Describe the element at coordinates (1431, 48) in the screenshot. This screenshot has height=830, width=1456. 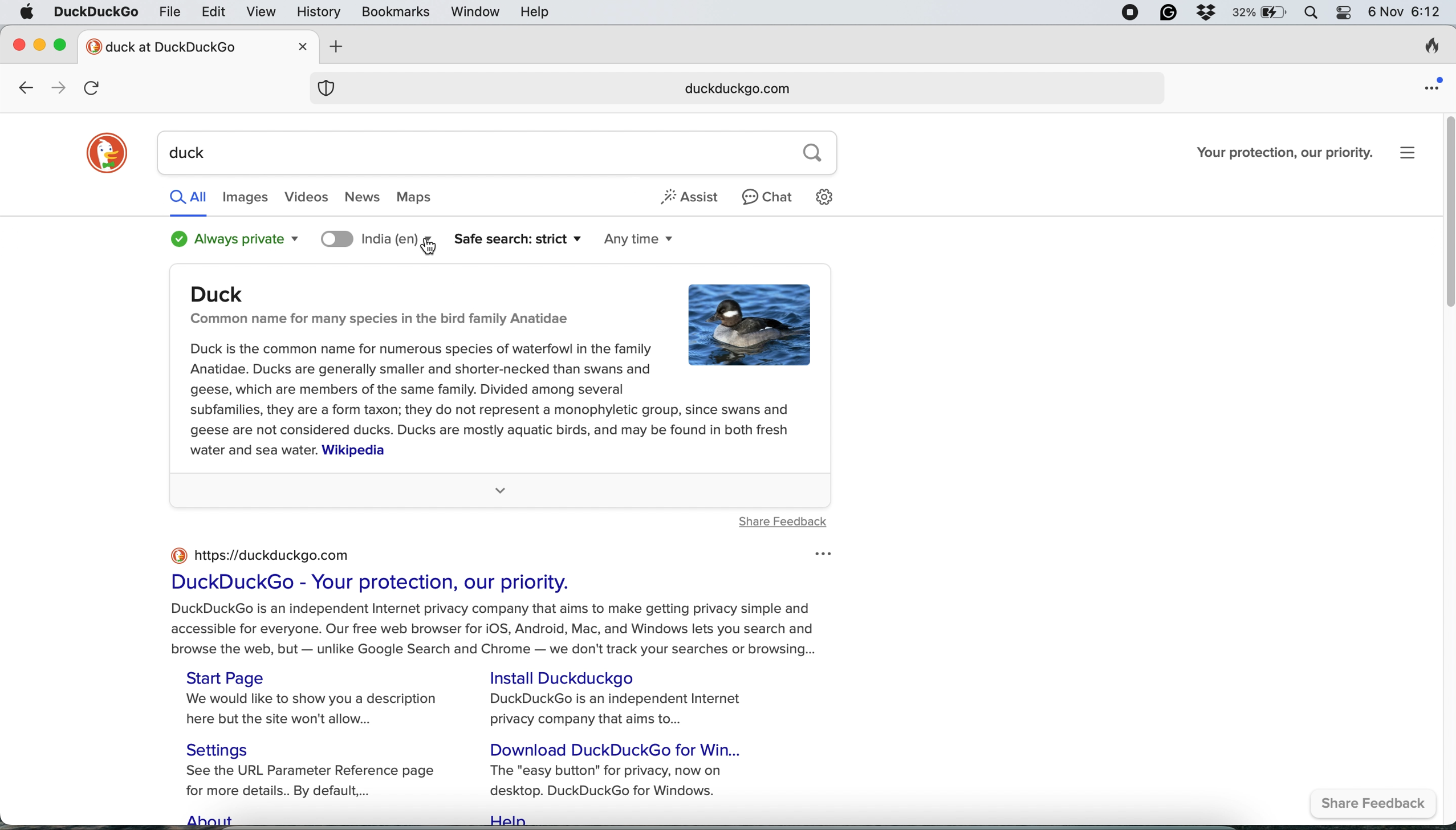
I see `clear browsing history` at that location.